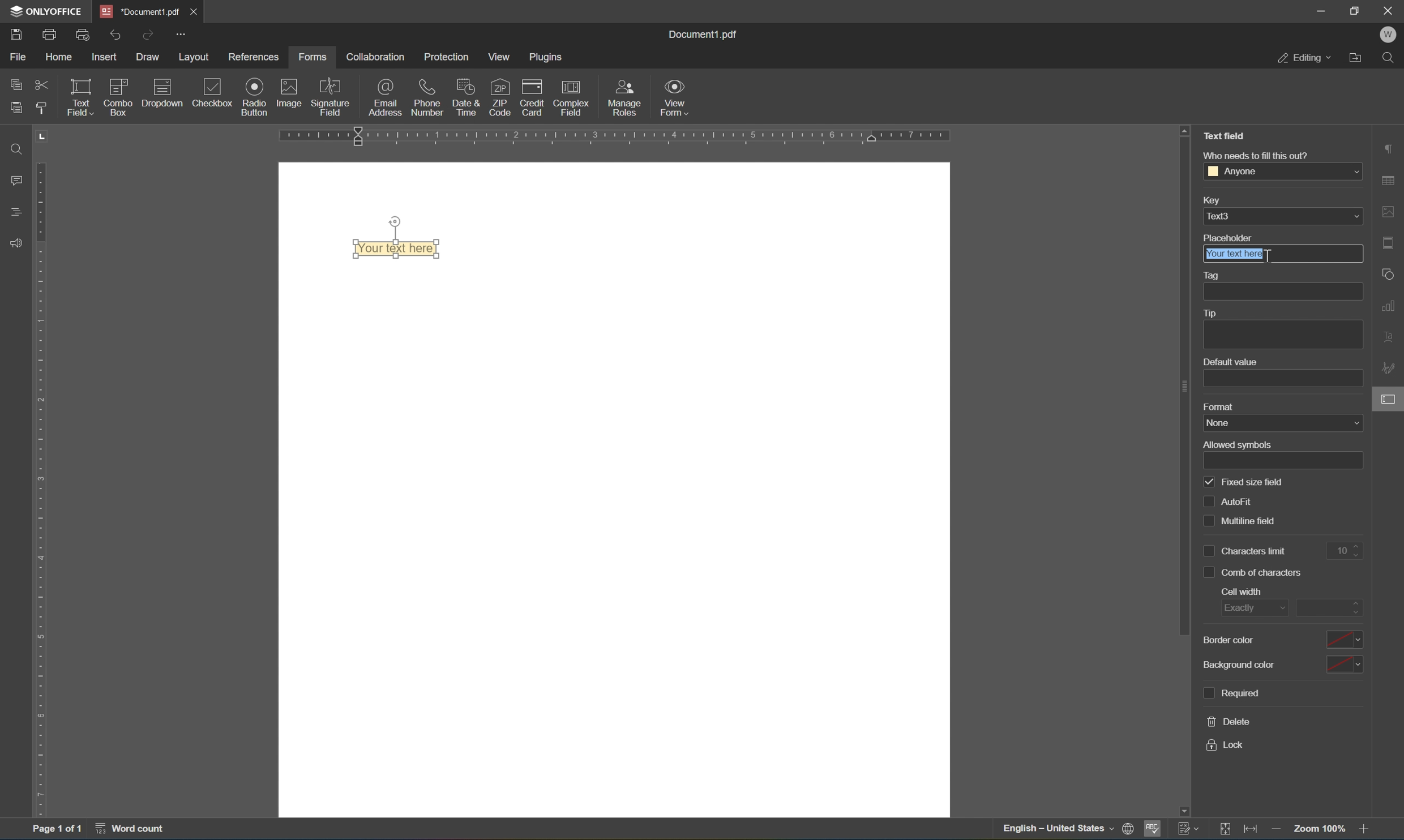 The width and height of the screenshot is (1404, 840). Describe the element at coordinates (1369, 832) in the screenshot. I see `zoom in` at that location.